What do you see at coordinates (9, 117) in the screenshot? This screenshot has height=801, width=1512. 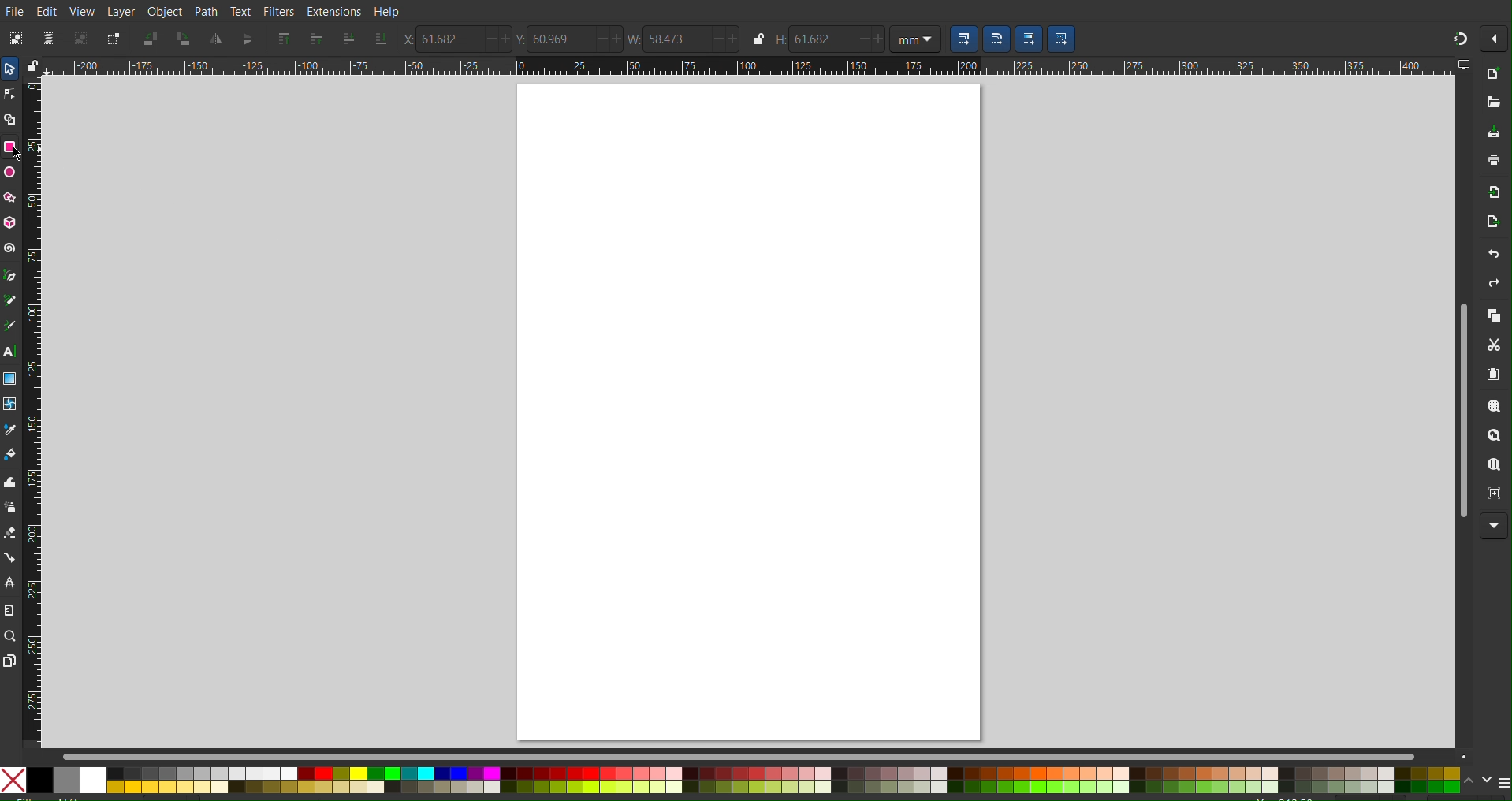 I see `Shape Builder Tool` at bounding box center [9, 117].